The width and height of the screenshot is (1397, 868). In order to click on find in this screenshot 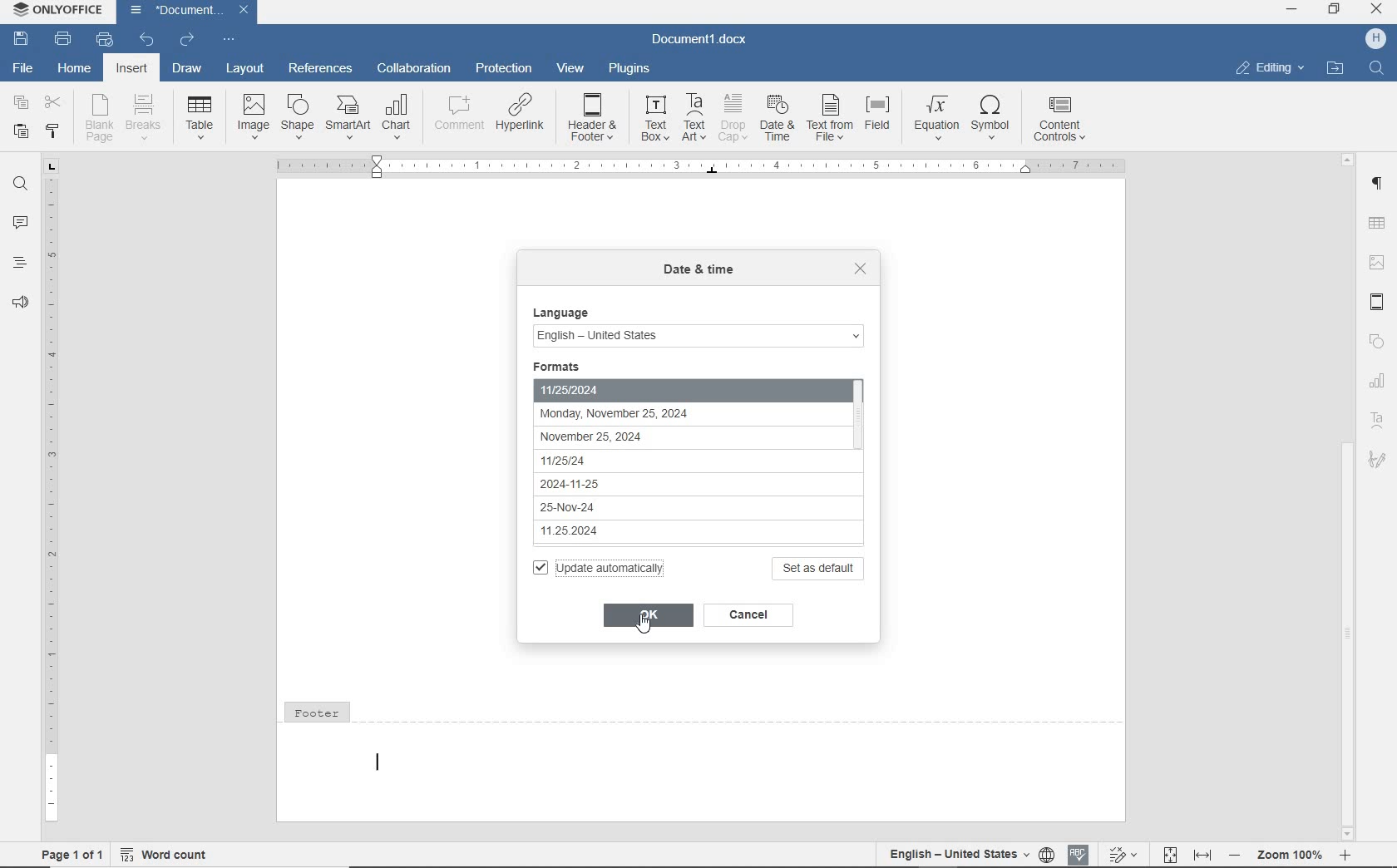, I will do `click(1375, 69)`.